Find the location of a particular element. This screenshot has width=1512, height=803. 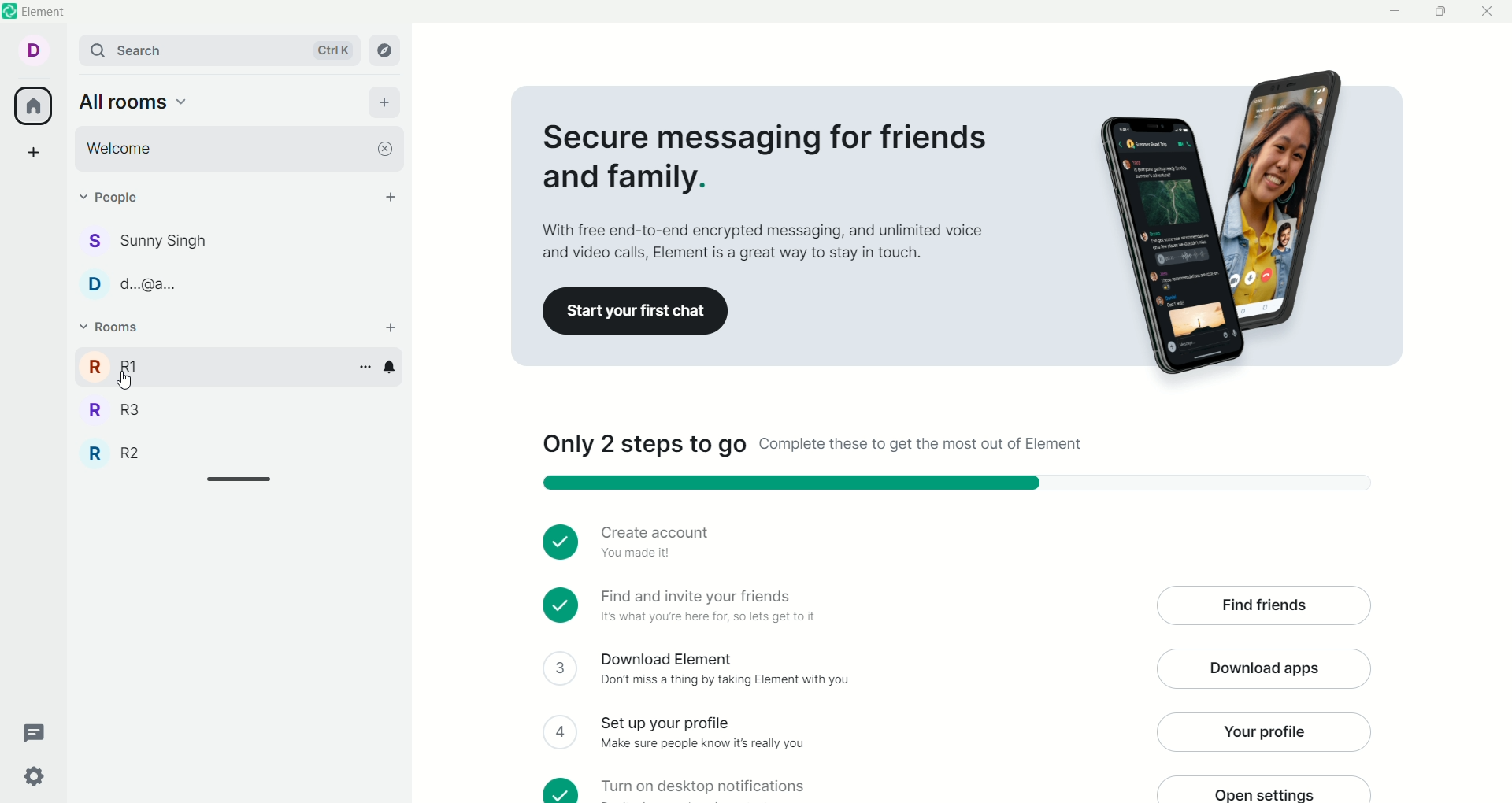

Cursor is located at coordinates (124, 380).